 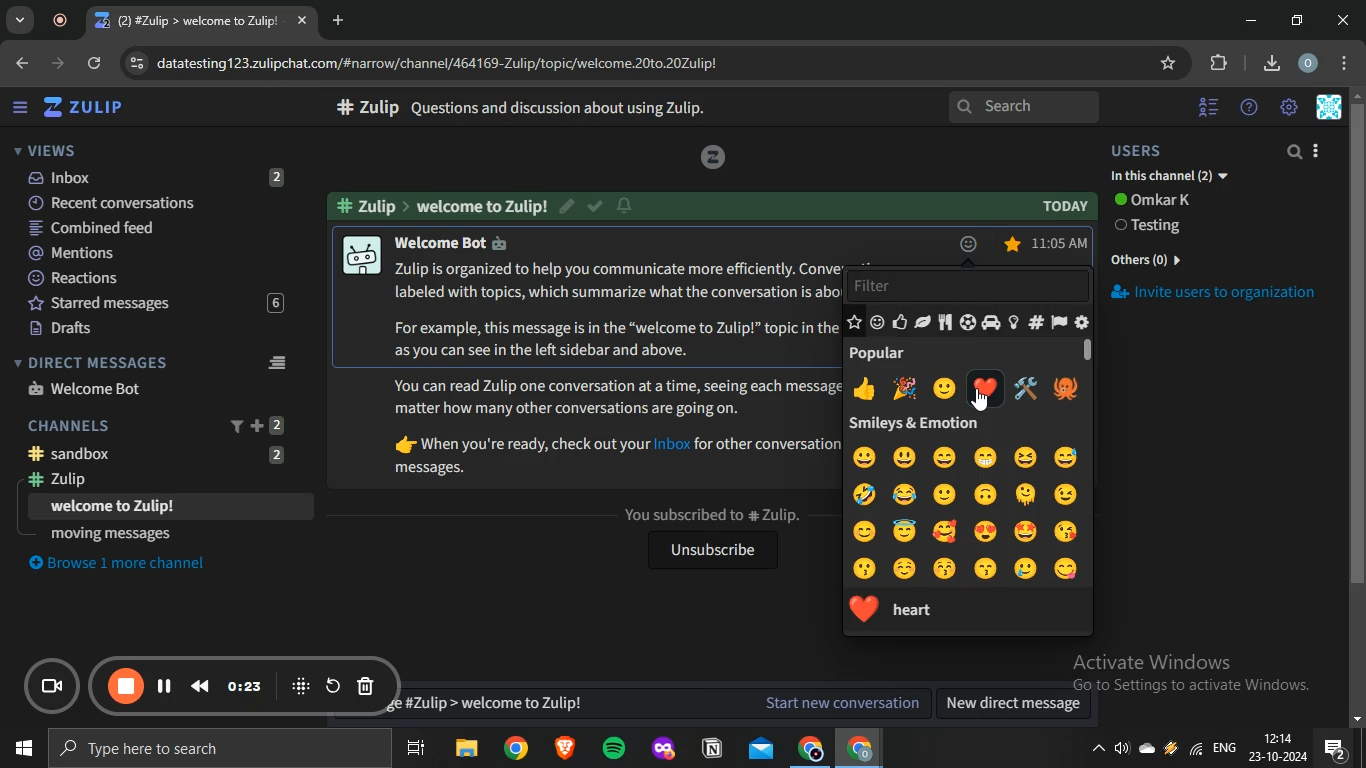 What do you see at coordinates (1224, 750) in the screenshot?
I see `english` at bounding box center [1224, 750].